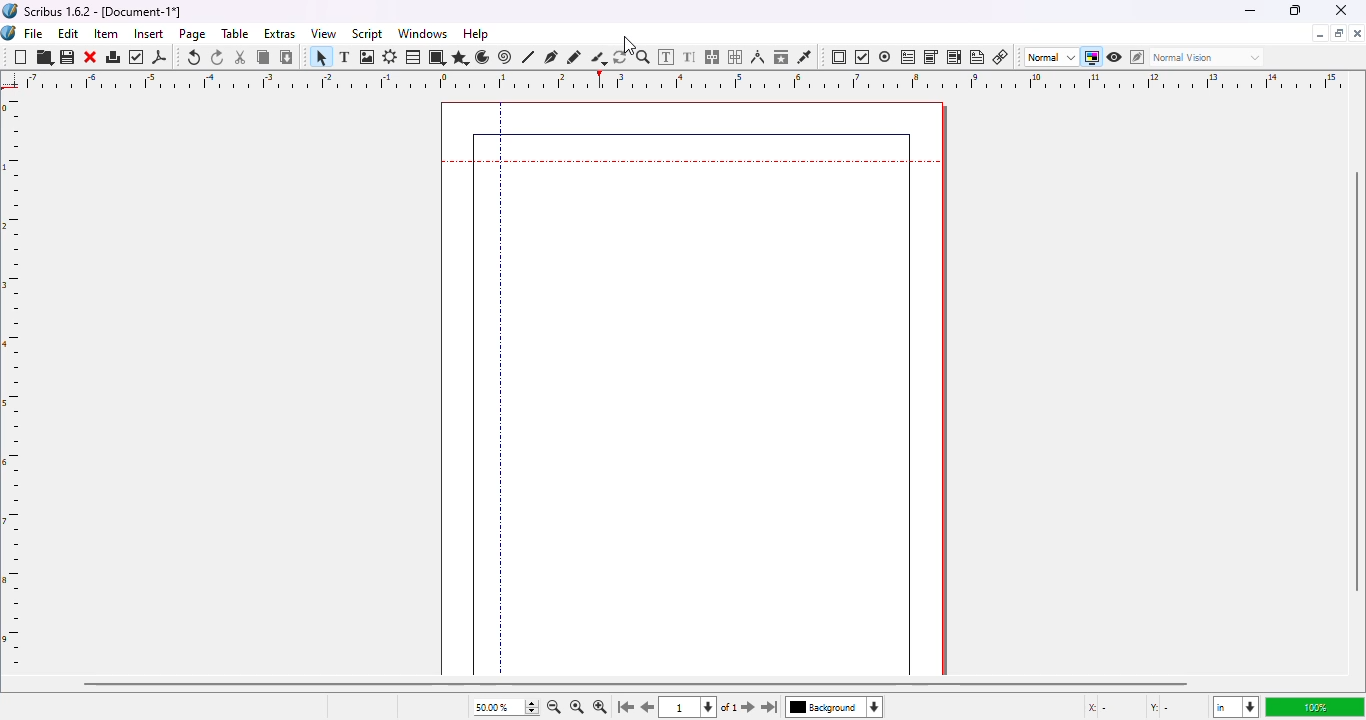  I want to click on link text frames, so click(713, 57).